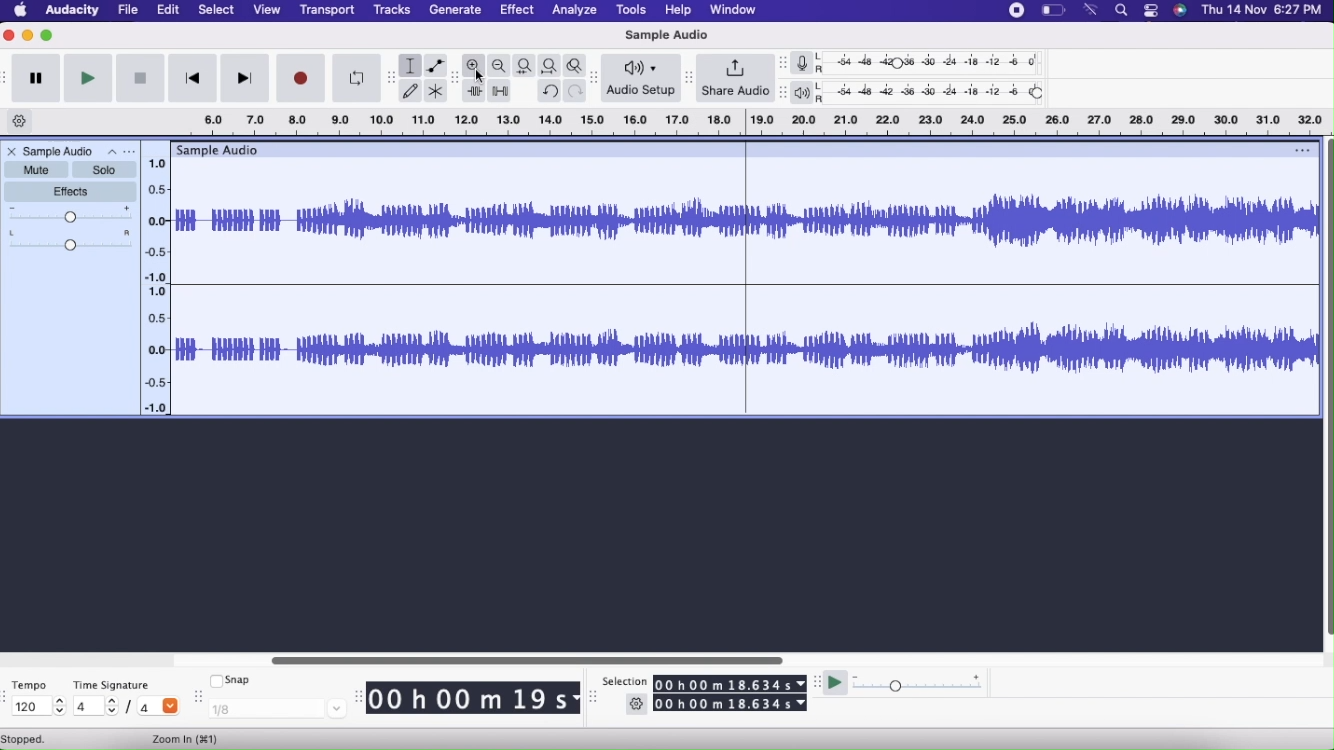 The width and height of the screenshot is (1334, 750). Describe the element at coordinates (385, 76) in the screenshot. I see `resize` at that location.